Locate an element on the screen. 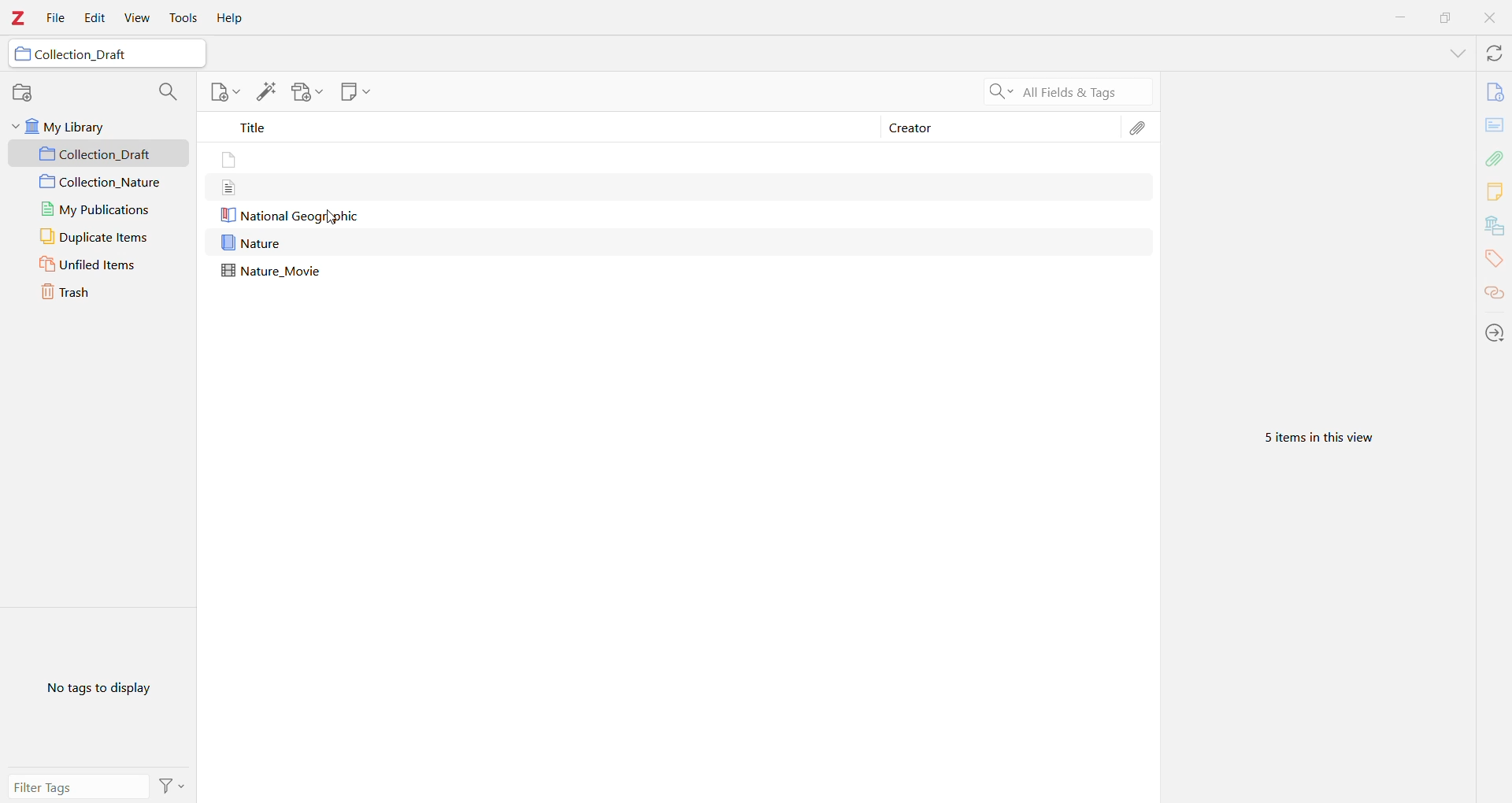 Image resolution: width=1512 pixels, height=803 pixels. Minimize is located at coordinates (1402, 17).